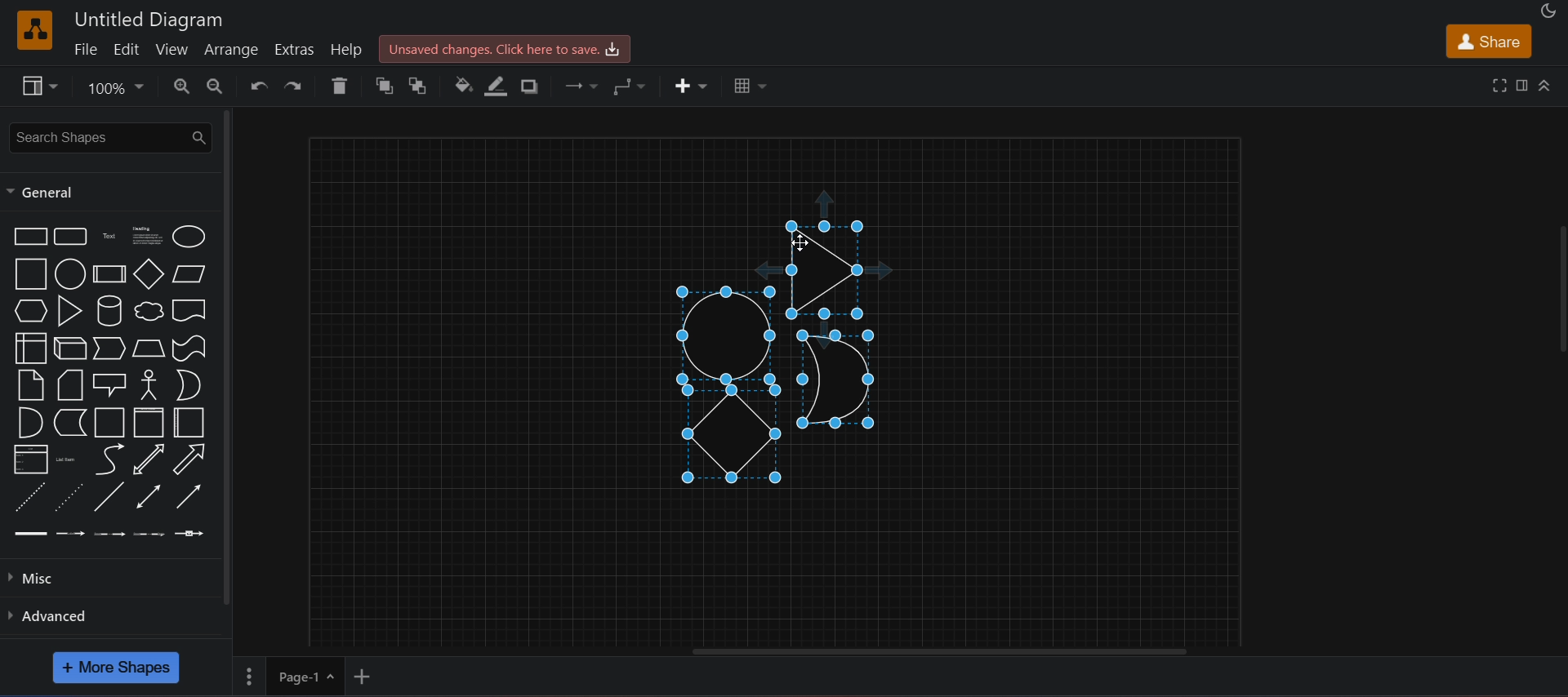 This screenshot has height=697, width=1568. What do you see at coordinates (387, 87) in the screenshot?
I see `to front` at bounding box center [387, 87].